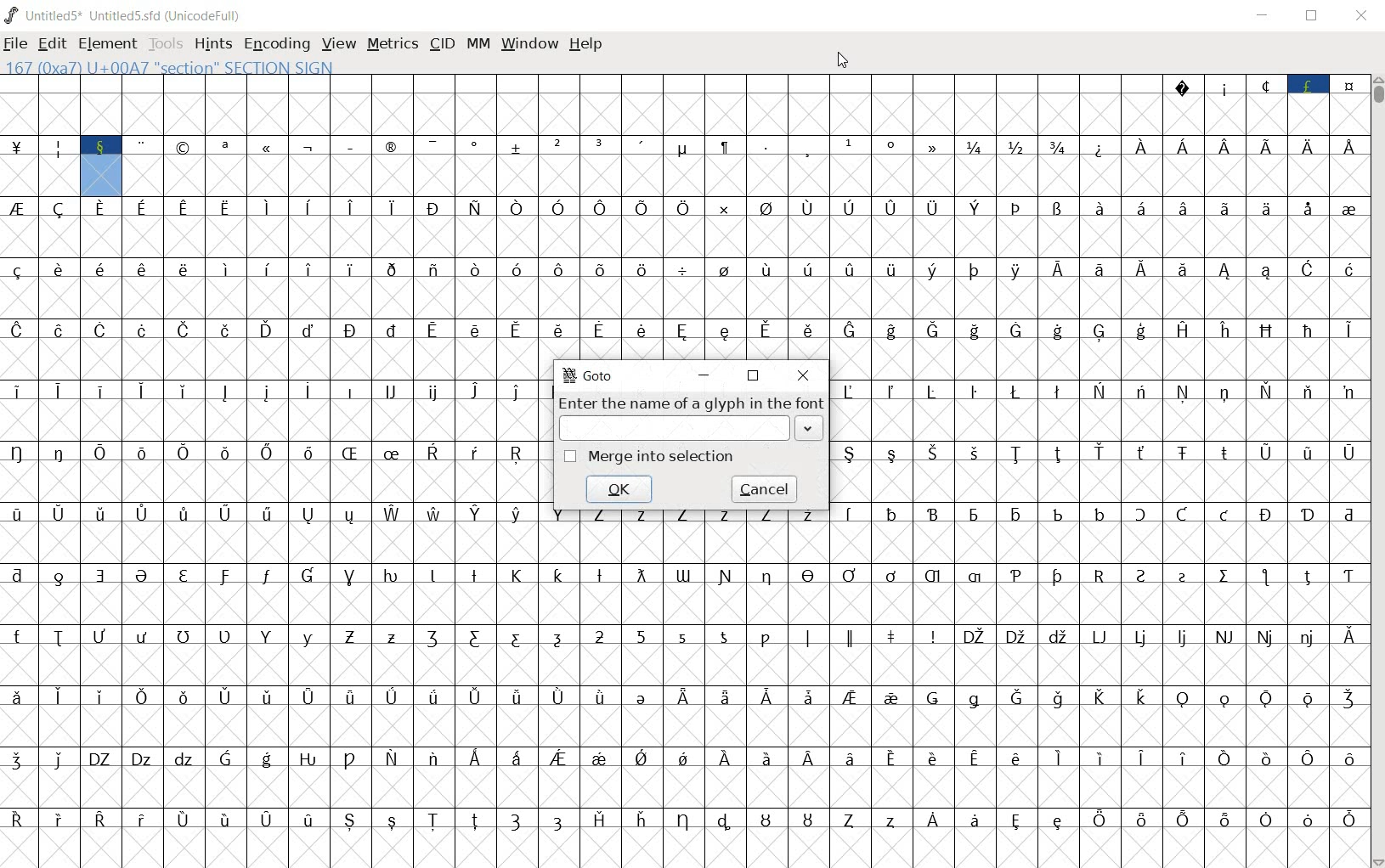 The height and width of the screenshot is (868, 1385). Describe the element at coordinates (105, 41) in the screenshot. I see `element` at that location.